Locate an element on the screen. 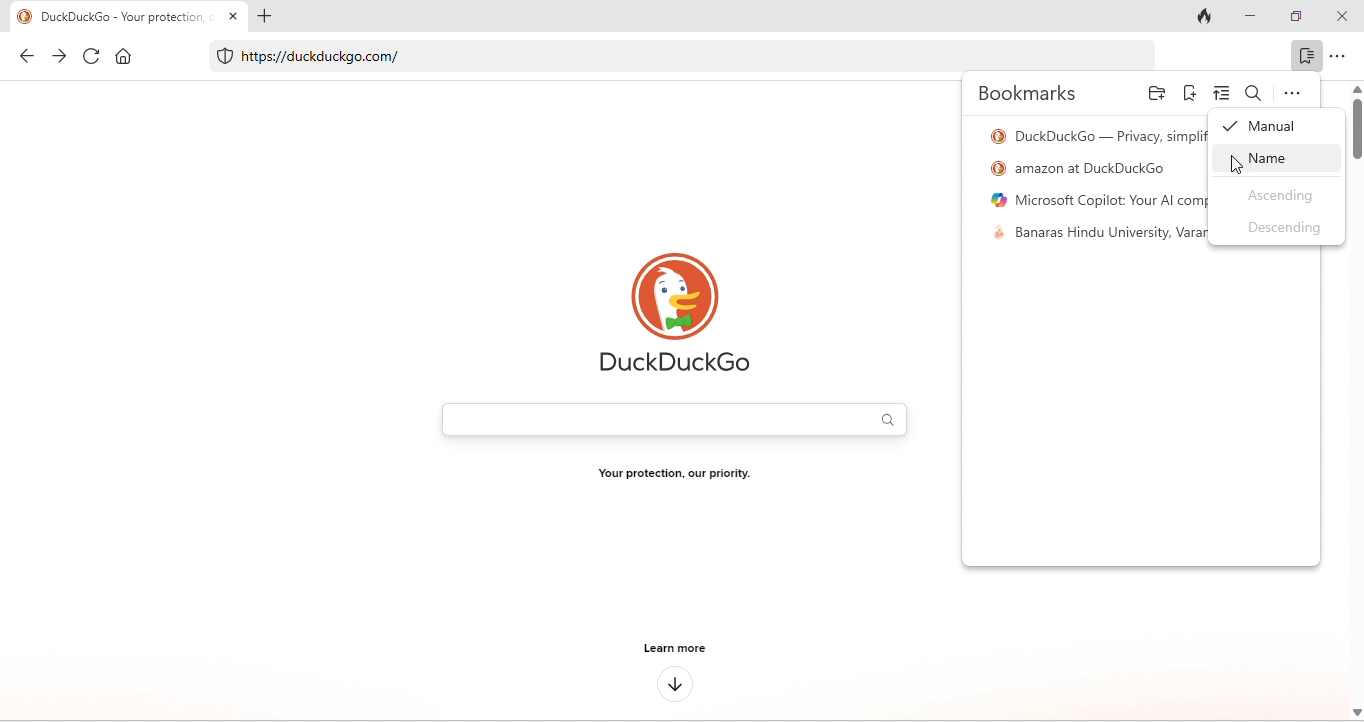 This screenshot has height=722, width=1364. down arrow is located at coordinates (675, 684).